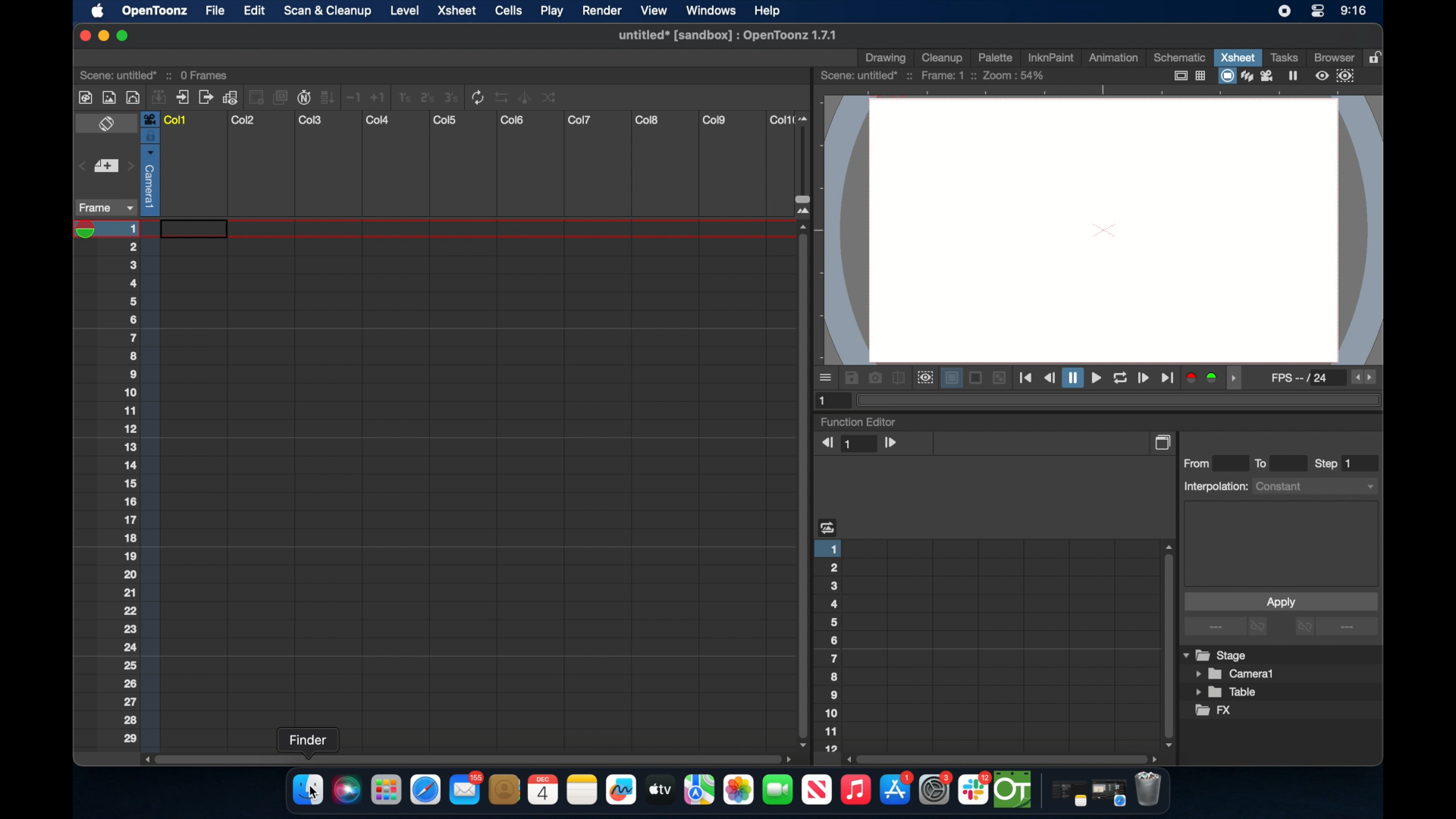 This screenshot has width=1456, height=819. Describe the element at coordinates (1004, 758) in the screenshot. I see `scroll box` at that location.